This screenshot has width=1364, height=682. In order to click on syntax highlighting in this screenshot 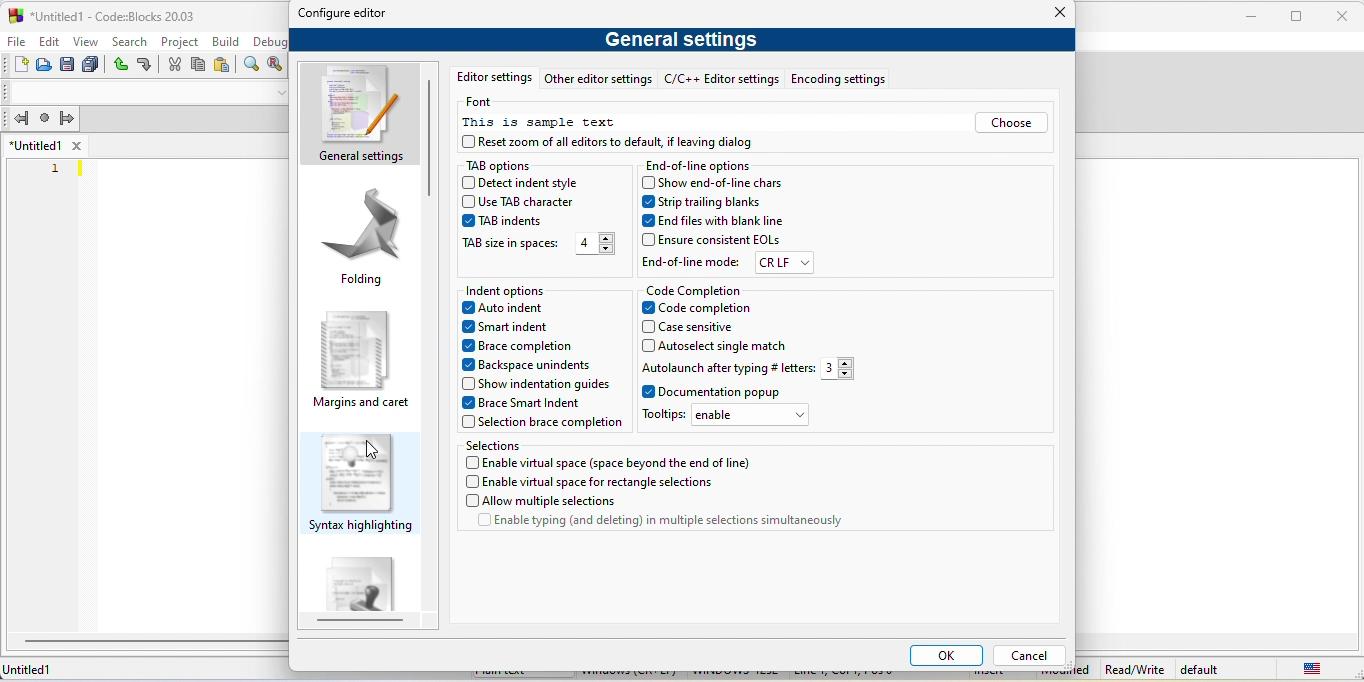, I will do `click(361, 485)`.